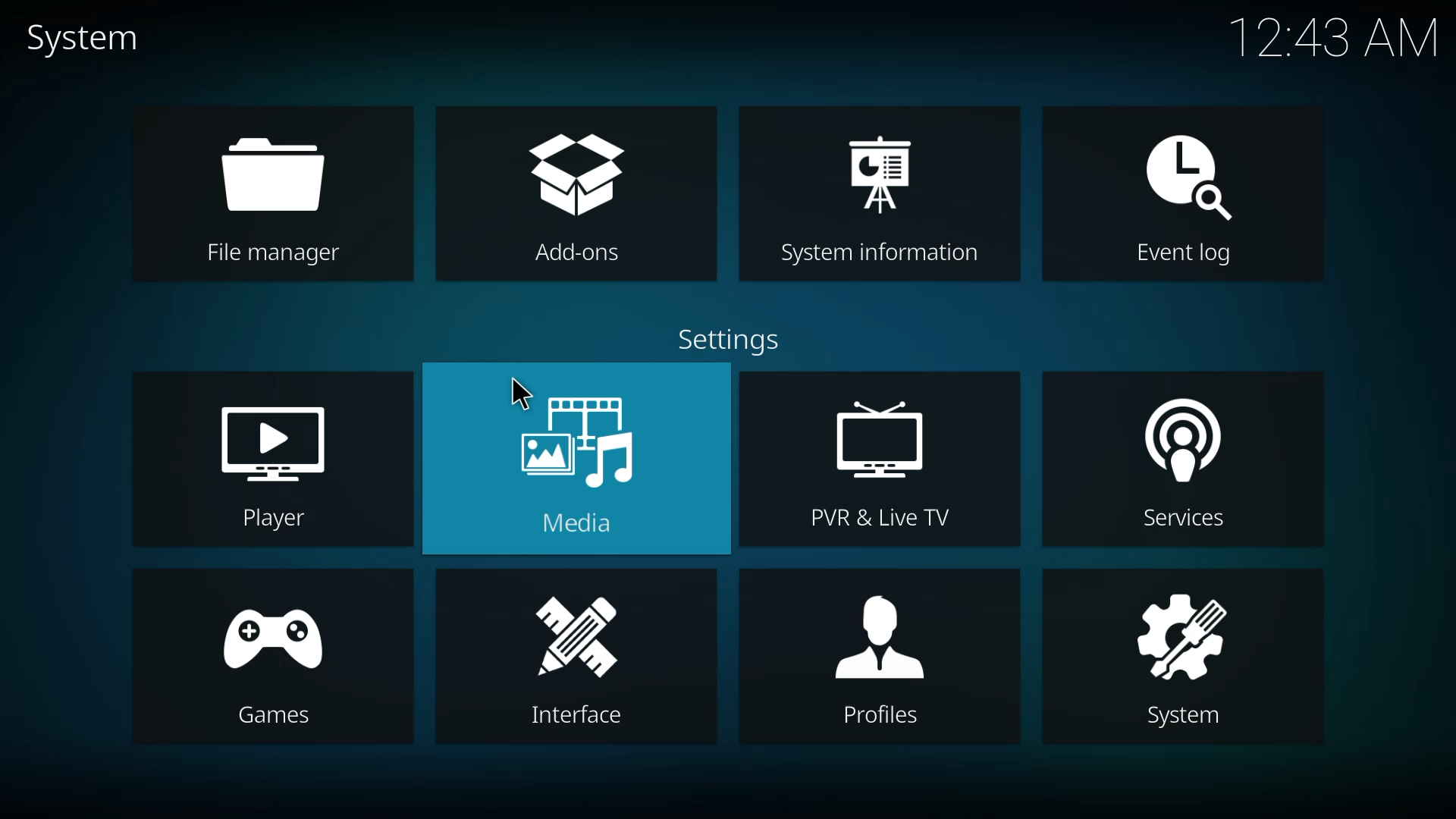 This screenshot has height=819, width=1456. I want to click on cursor, so click(520, 394).